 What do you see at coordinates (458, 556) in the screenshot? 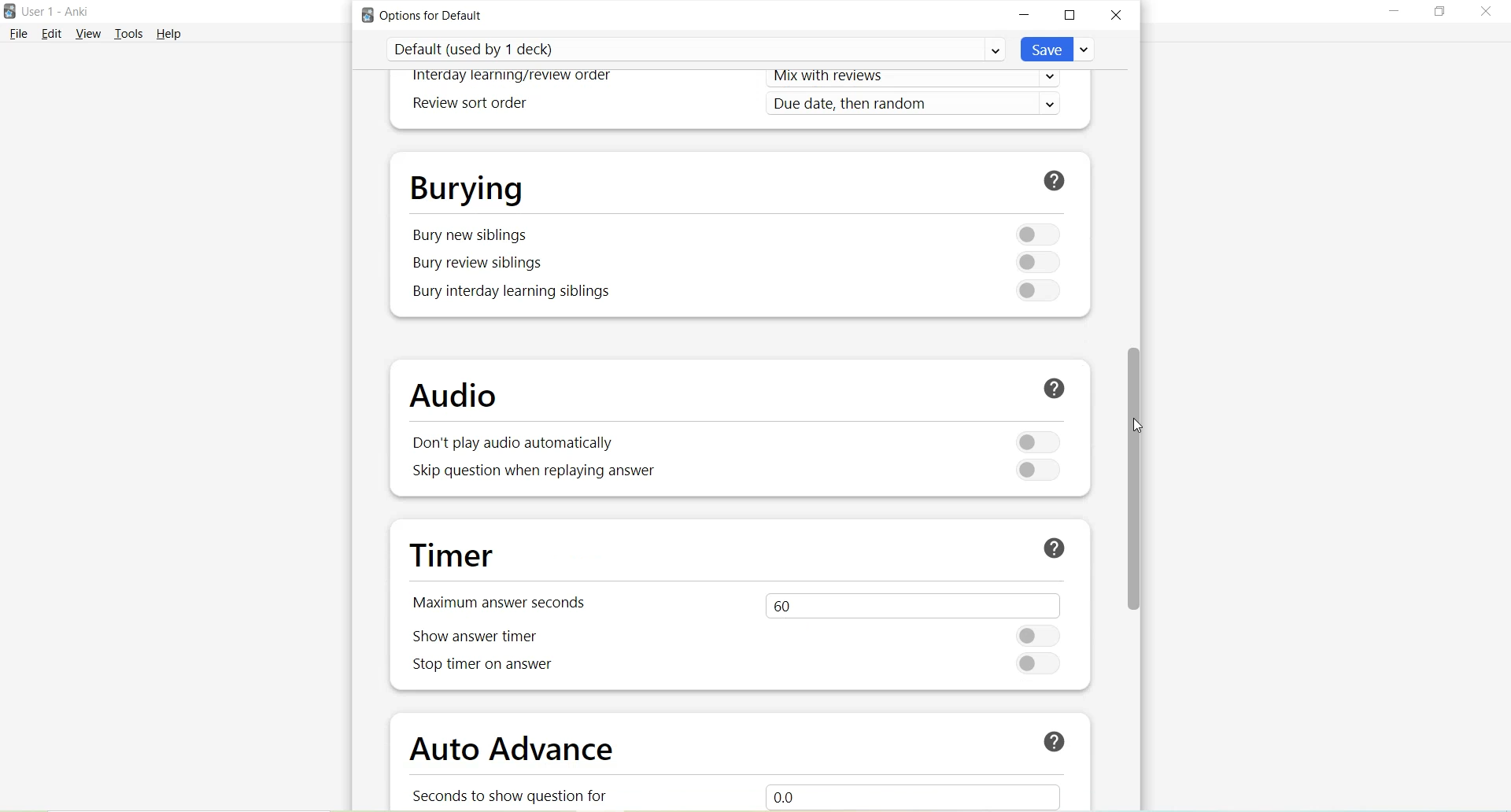
I see `Timer` at bounding box center [458, 556].